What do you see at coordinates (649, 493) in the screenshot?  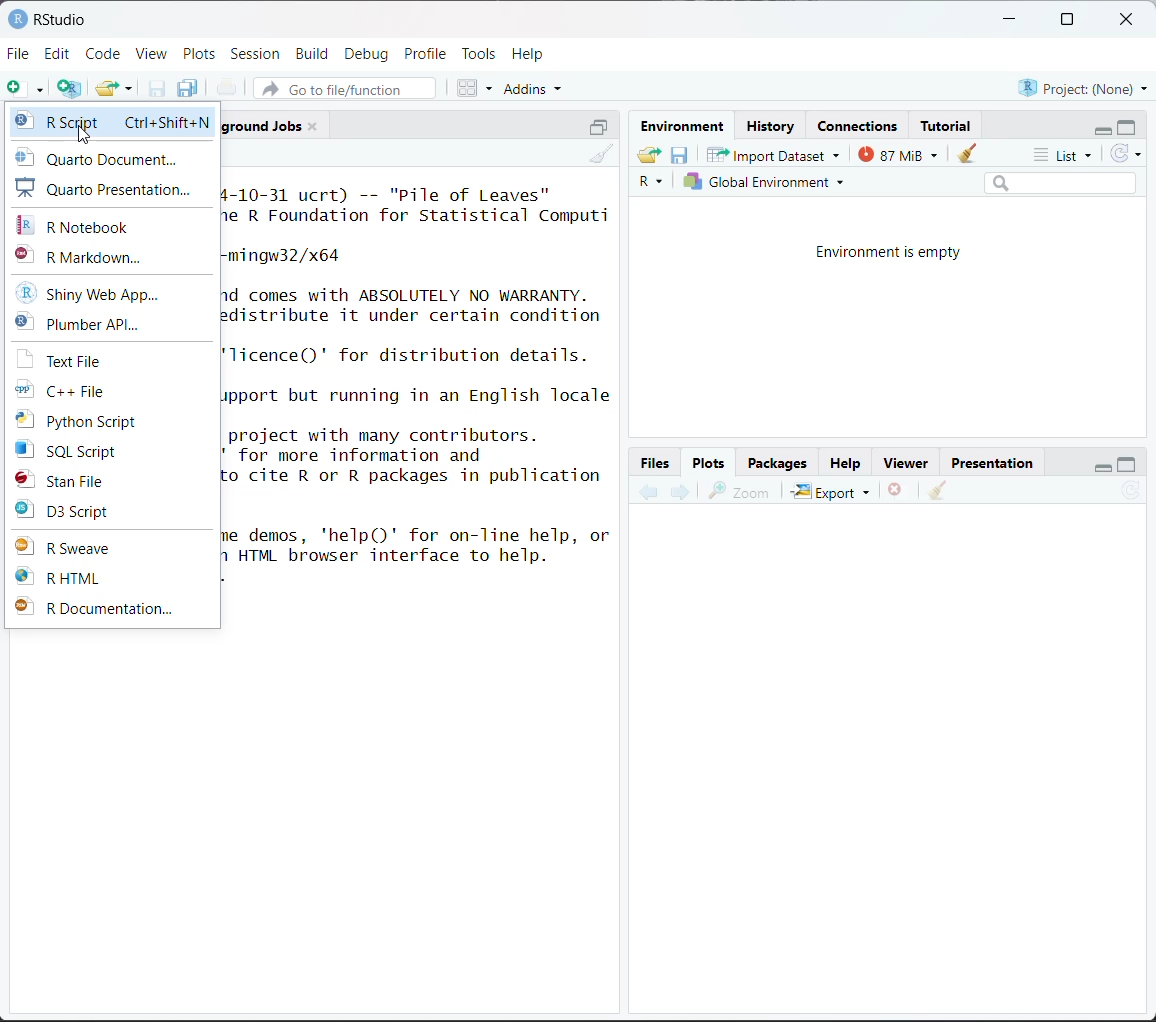 I see `previous plot` at bounding box center [649, 493].